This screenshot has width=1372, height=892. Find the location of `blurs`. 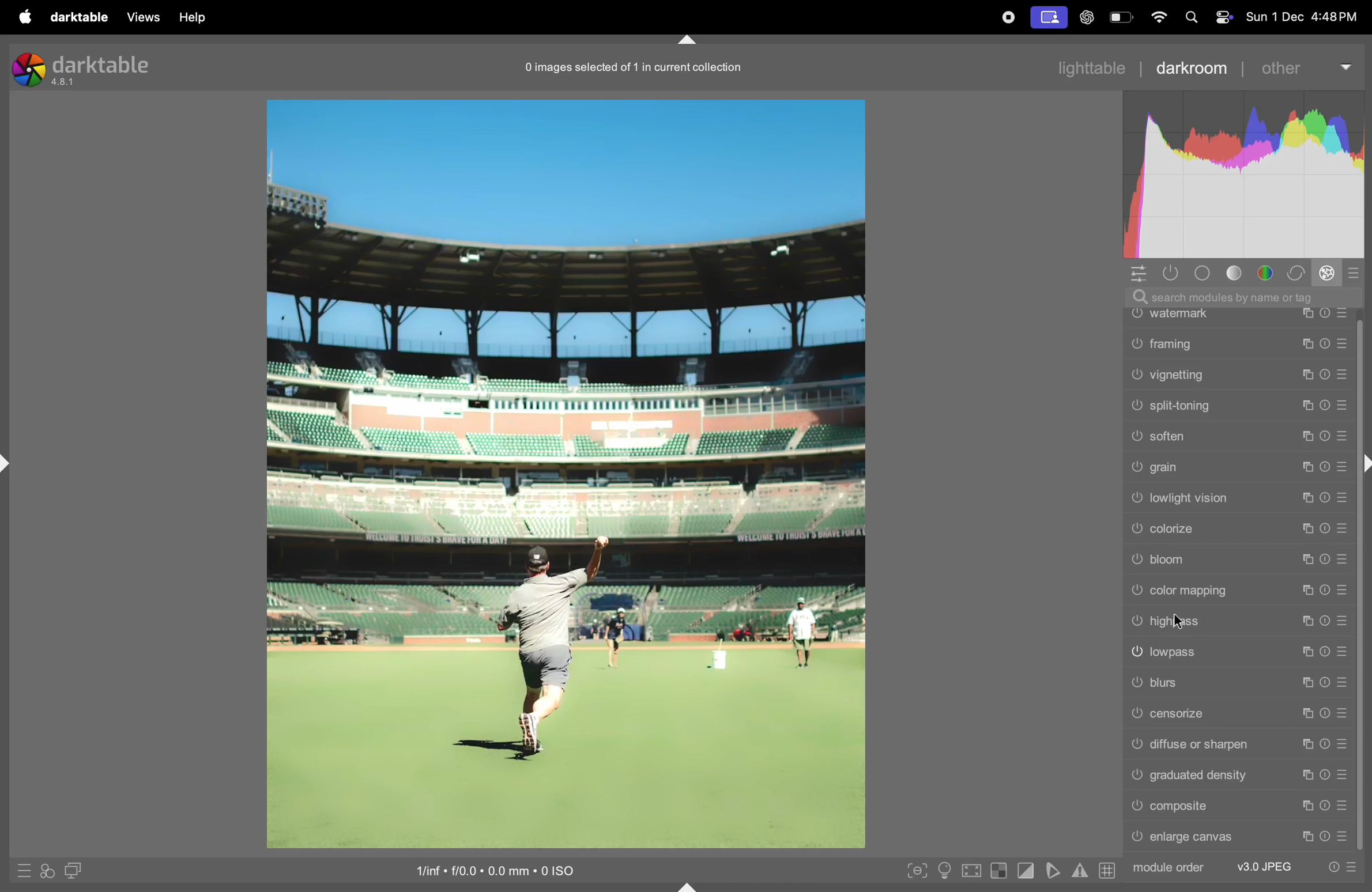

blurs is located at coordinates (1237, 682).